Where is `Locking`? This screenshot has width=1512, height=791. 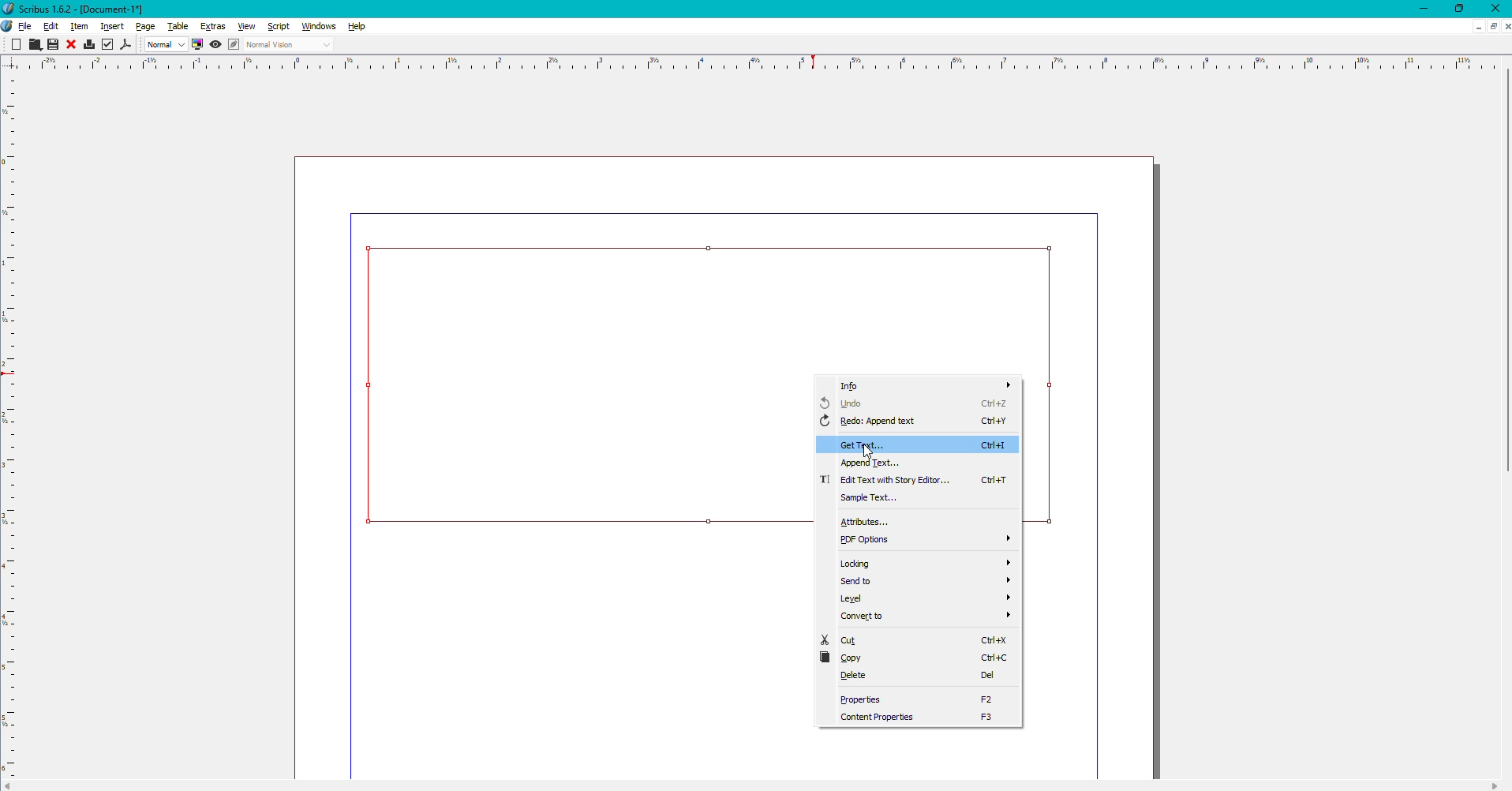
Locking is located at coordinates (923, 564).